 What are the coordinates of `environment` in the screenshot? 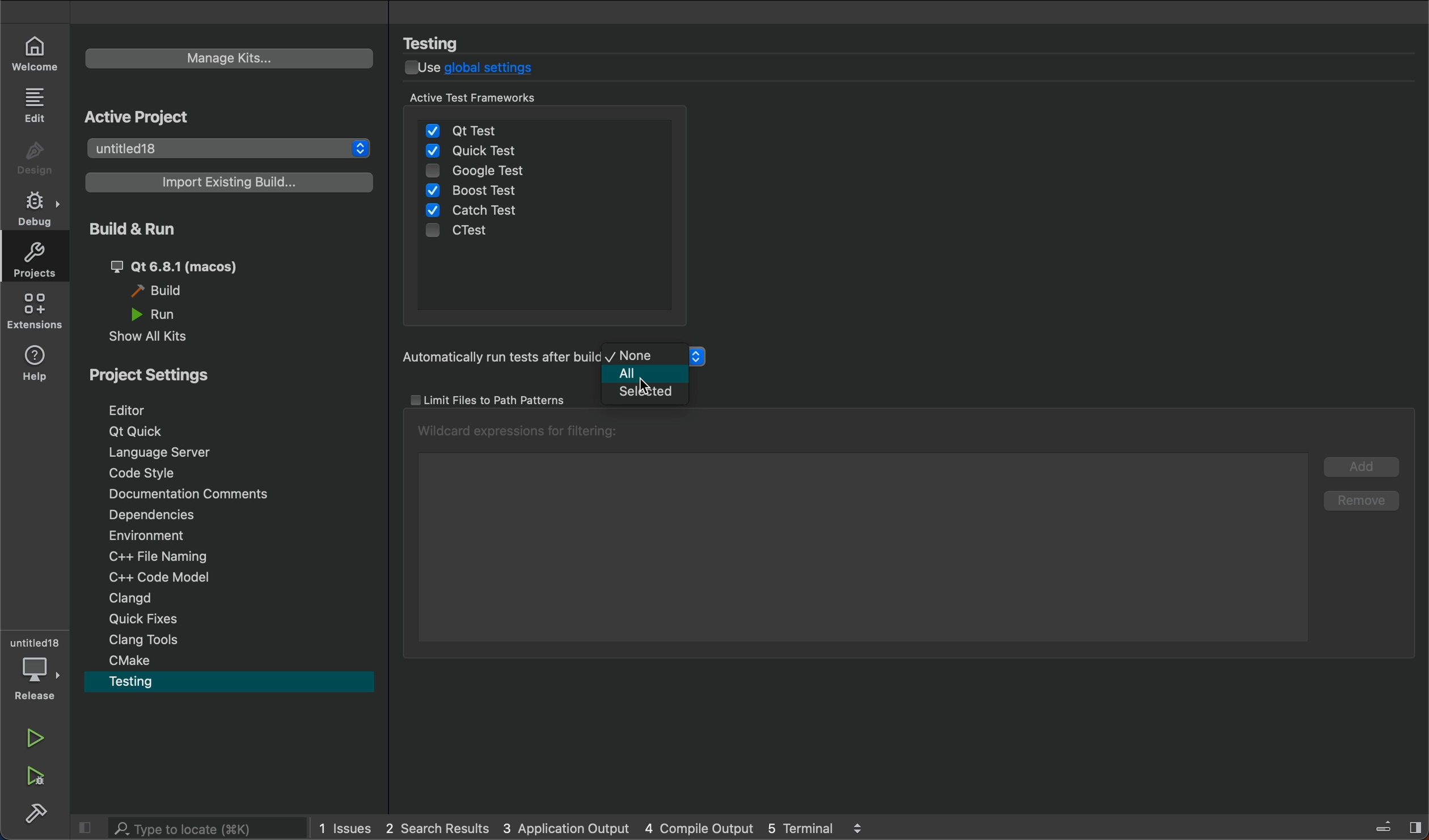 It's located at (166, 536).